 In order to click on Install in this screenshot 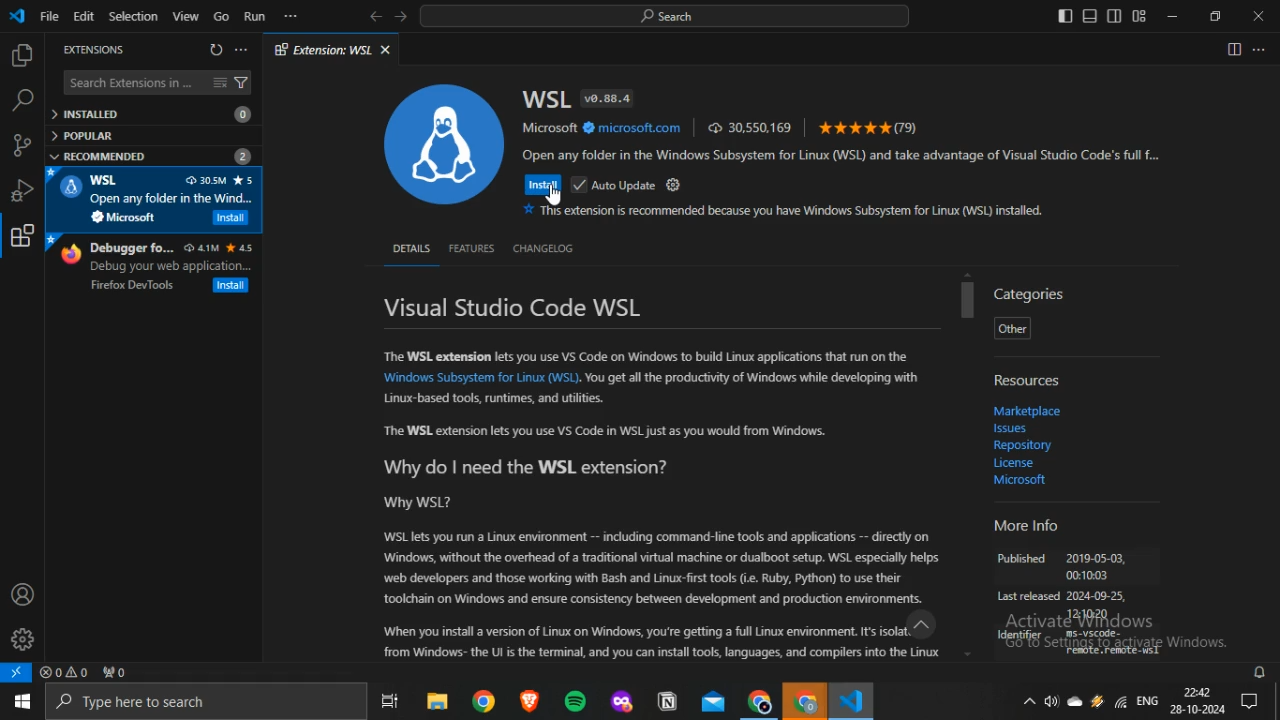, I will do `click(543, 185)`.